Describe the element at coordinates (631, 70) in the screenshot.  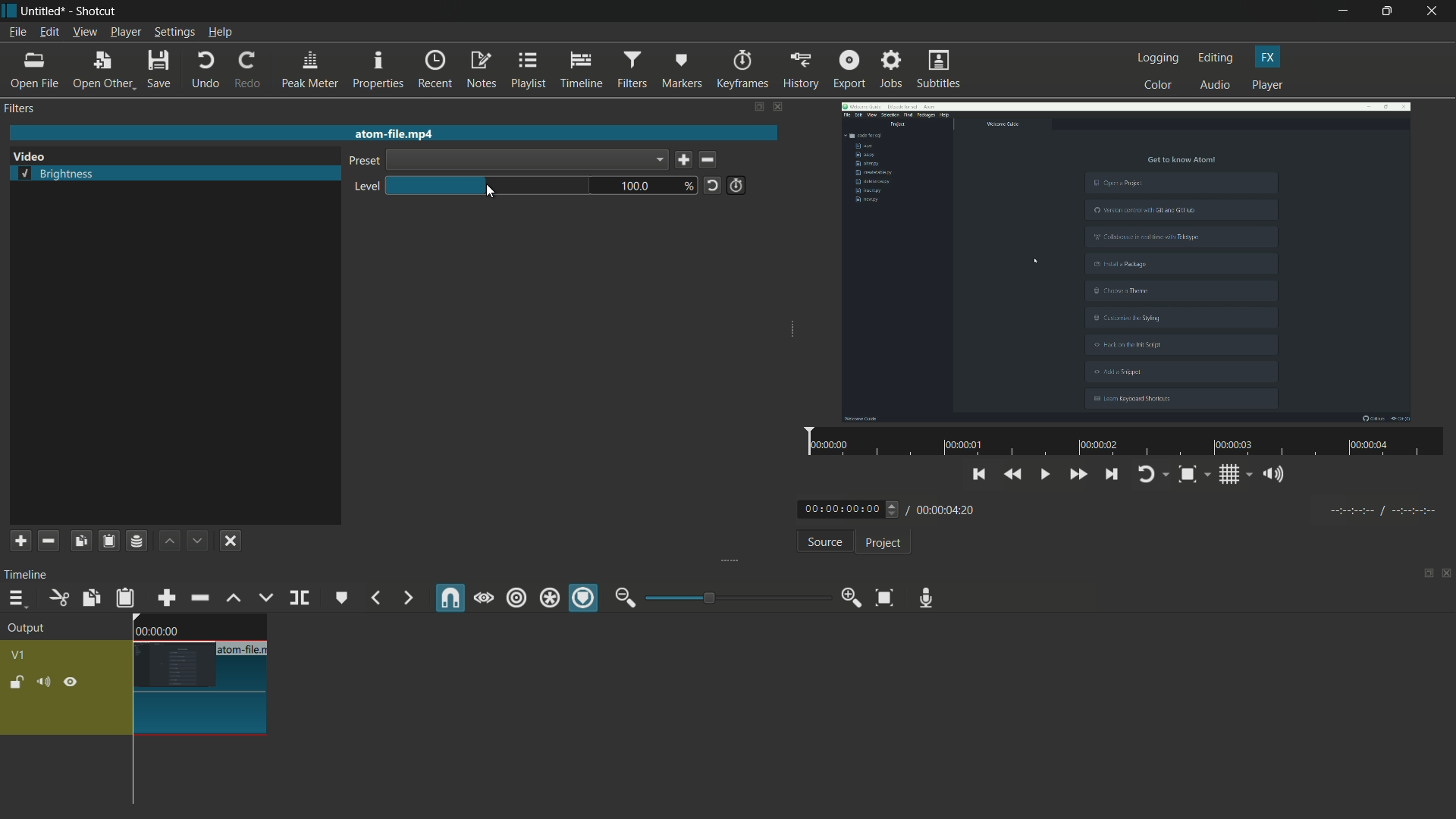
I see `filters` at that location.